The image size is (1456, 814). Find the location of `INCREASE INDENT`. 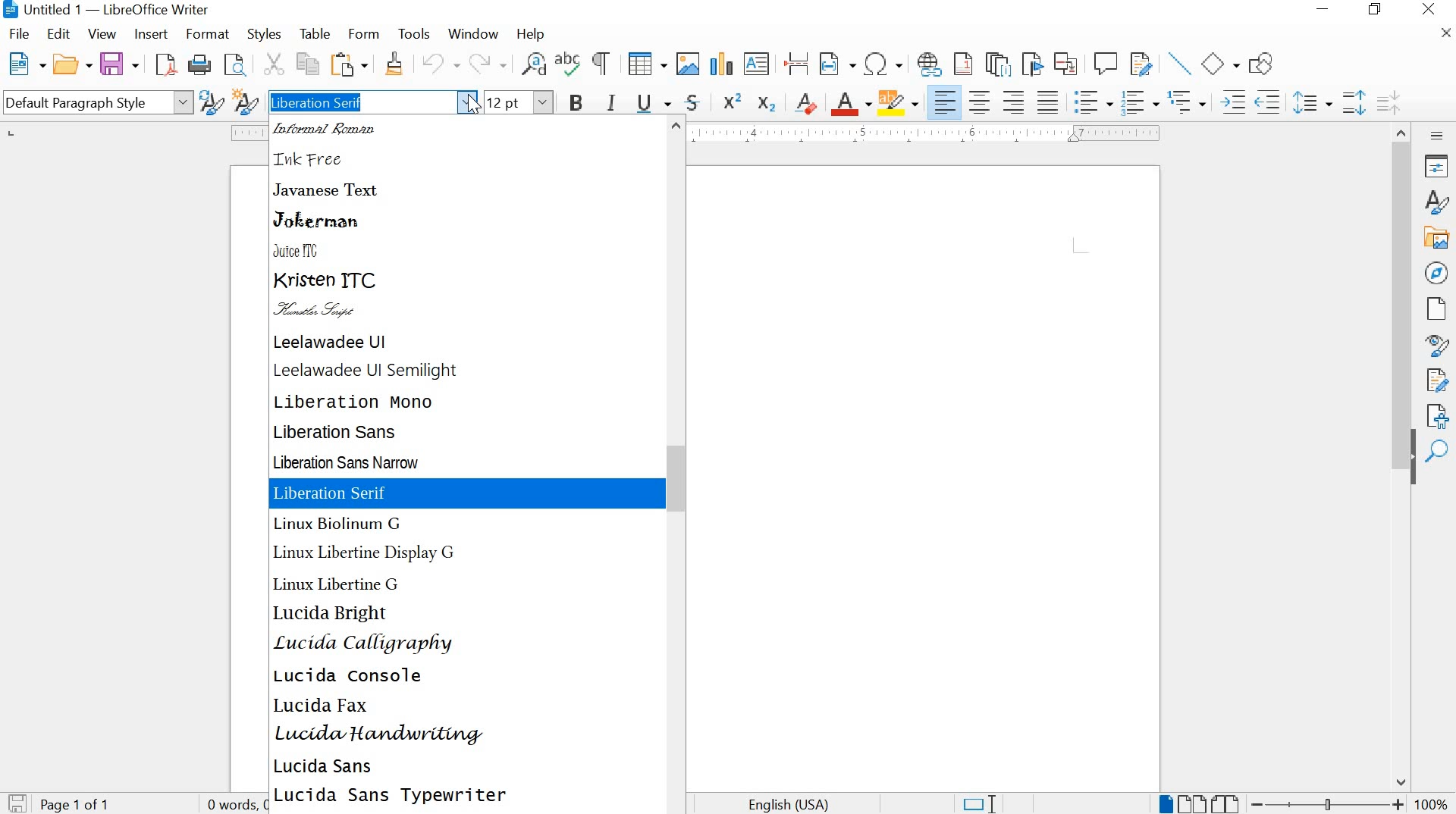

INCREASE INDENT is located at coordinates (1230, 101).